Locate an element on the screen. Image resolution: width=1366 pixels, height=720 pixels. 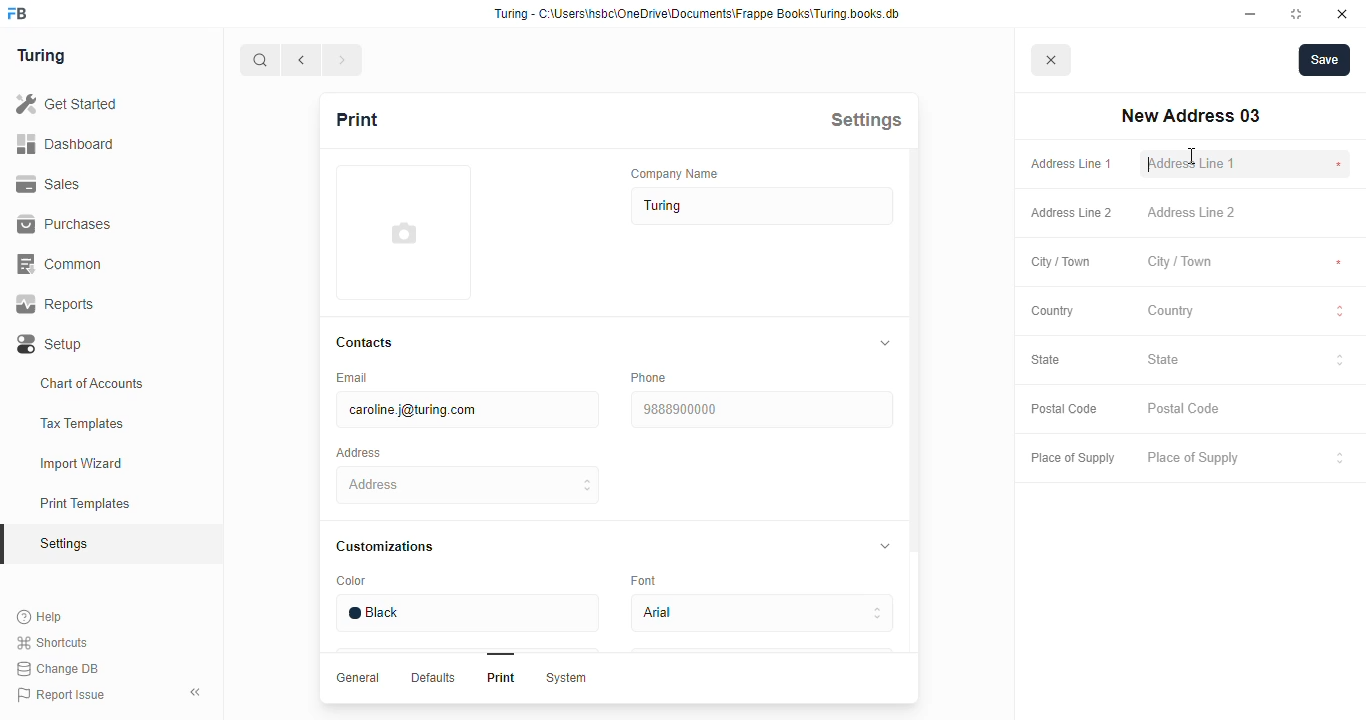
General is located at coordinates (358, 677).